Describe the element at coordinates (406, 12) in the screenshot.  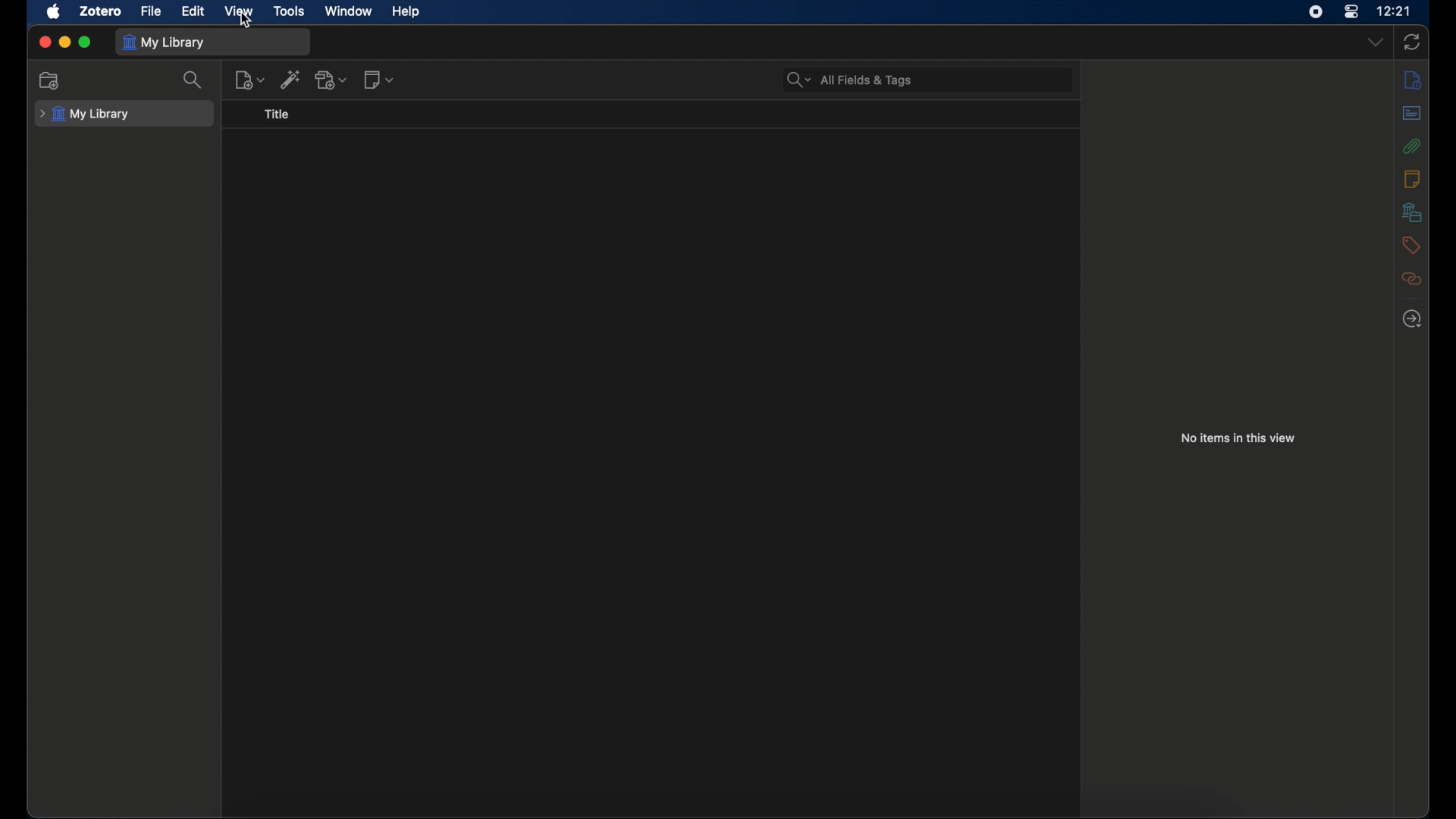
I see `help` at that location.